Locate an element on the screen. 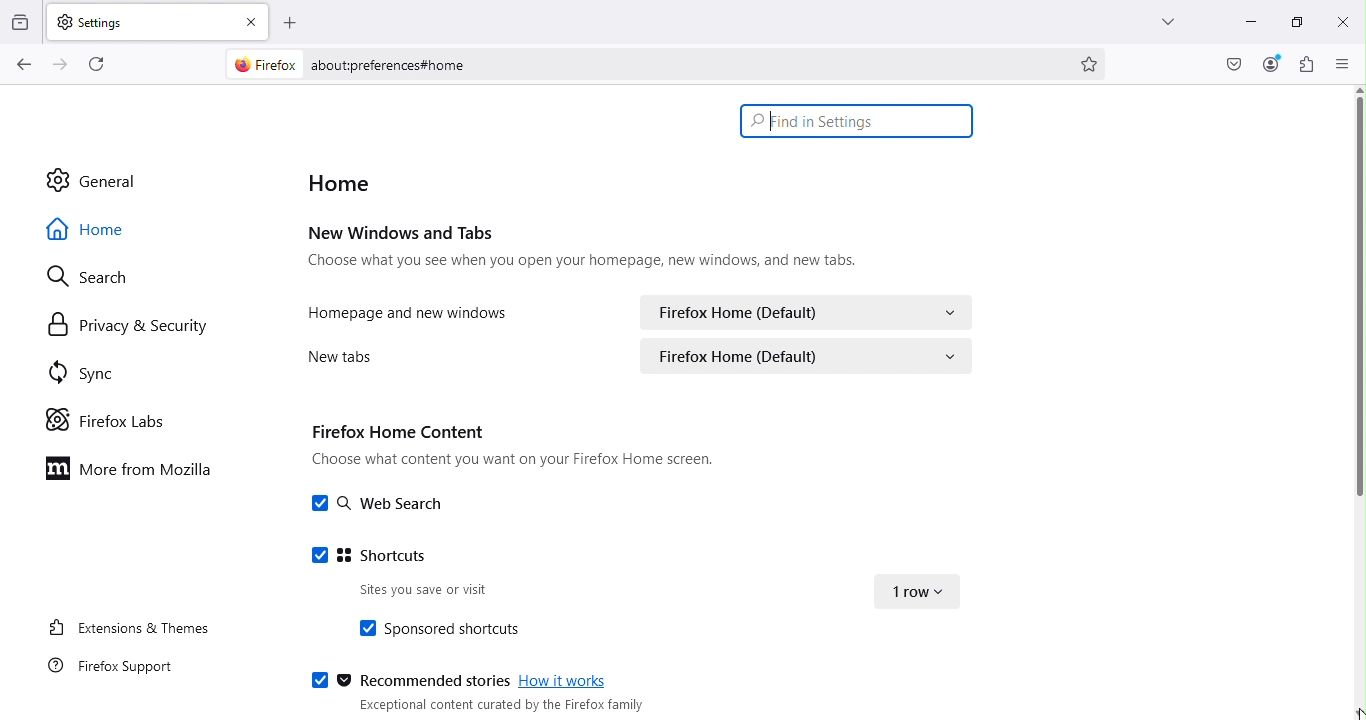  Drop down menu is located at coordinates (916, 593).